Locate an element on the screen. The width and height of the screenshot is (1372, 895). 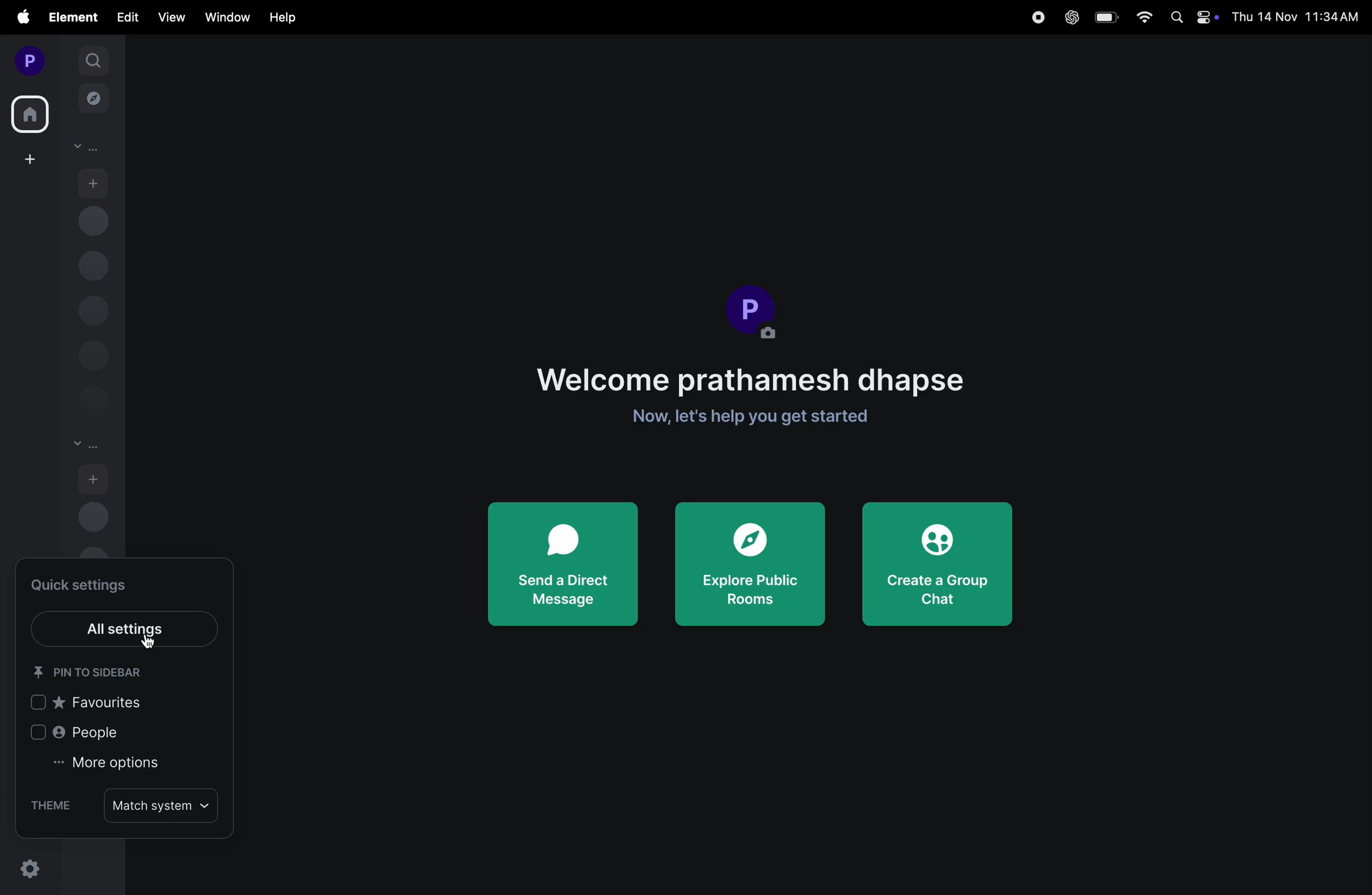
settings is located at coordinates (29, 868).